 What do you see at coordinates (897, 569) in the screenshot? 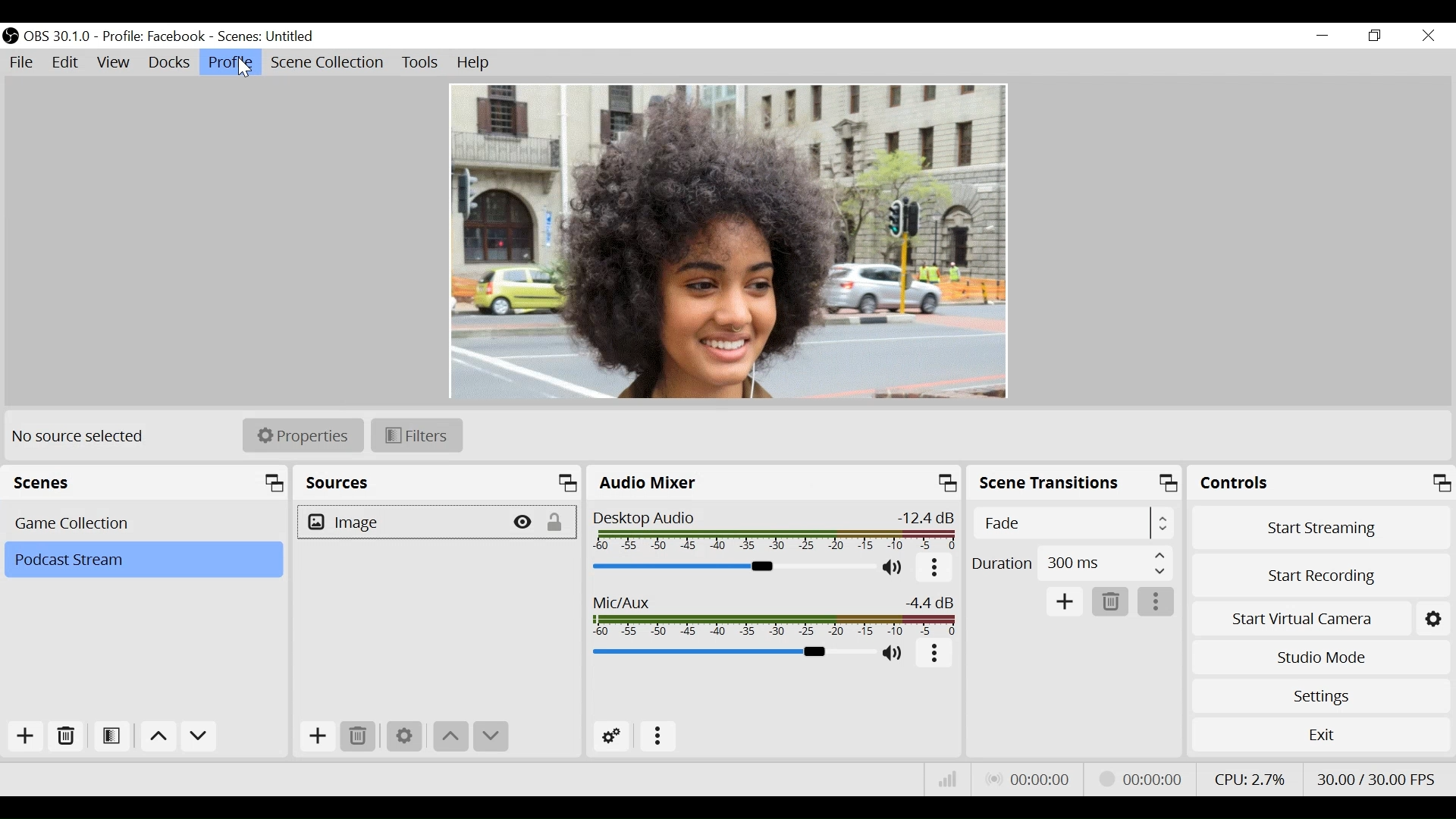
I see `(un)mute` at bounding box center [897, 569].